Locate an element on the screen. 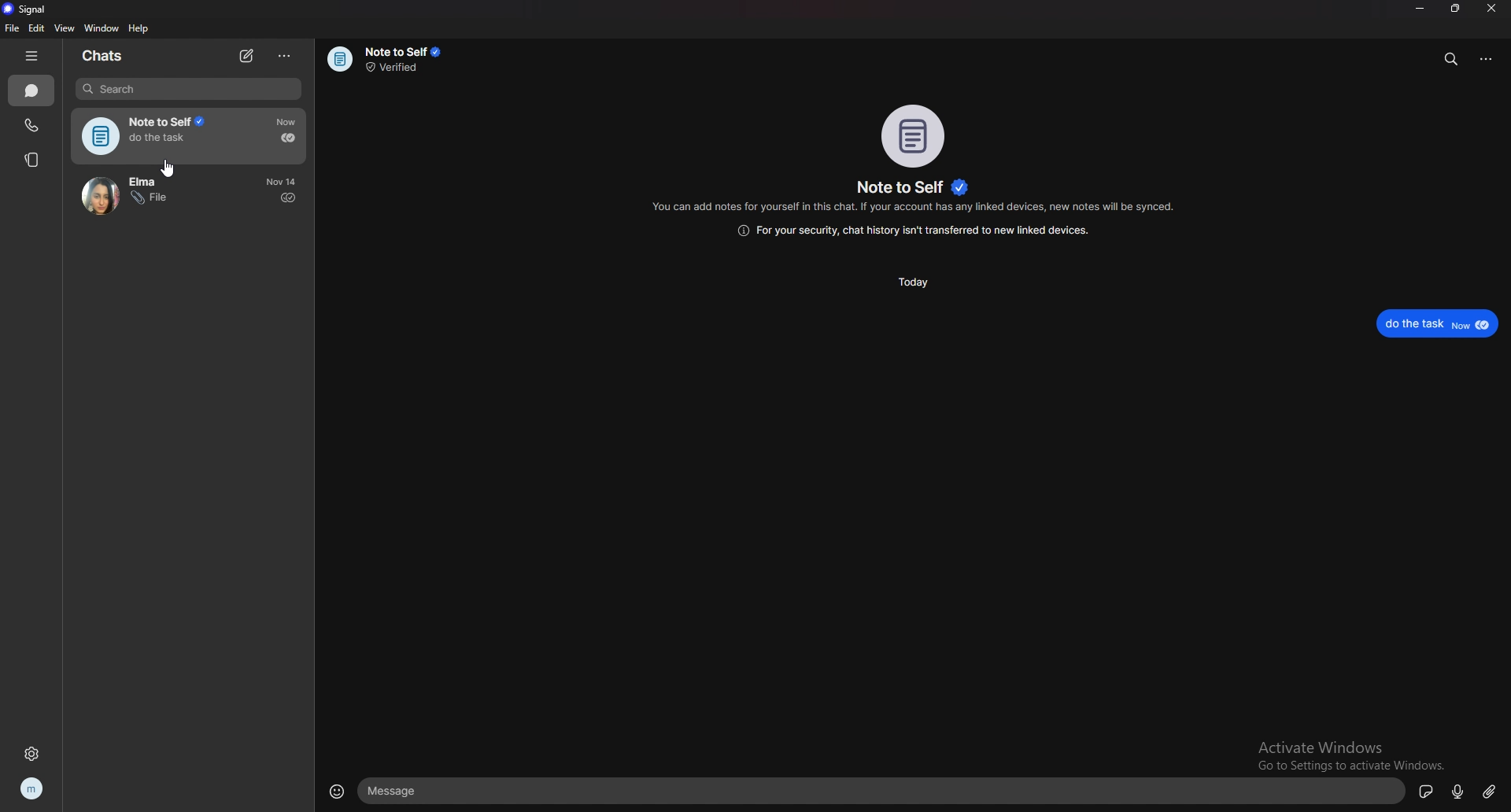 This screenshot has height=812, width=1511. chat is located at coordinates (151, 192).